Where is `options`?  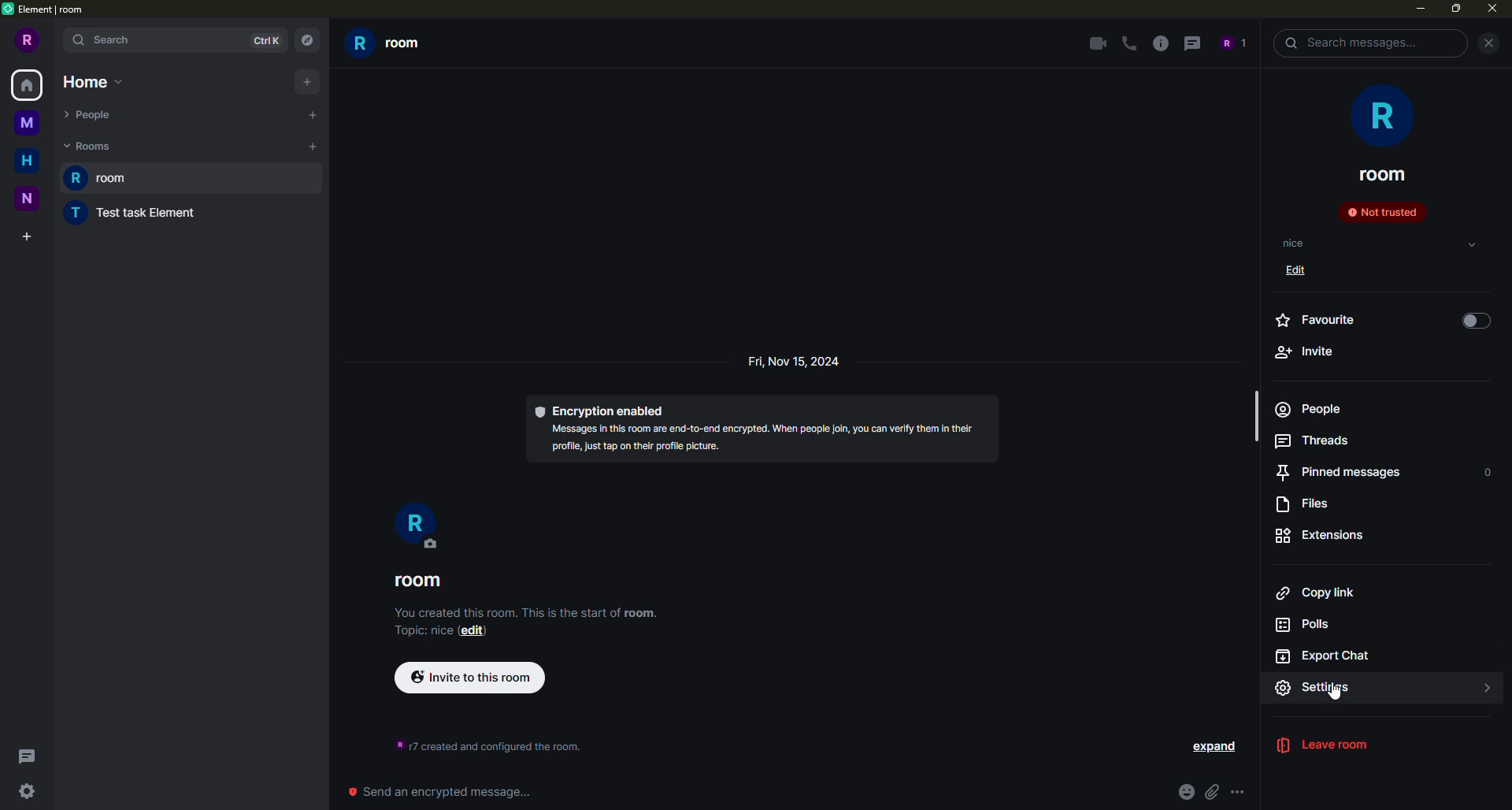
options is located at coordinates (1240, 790).